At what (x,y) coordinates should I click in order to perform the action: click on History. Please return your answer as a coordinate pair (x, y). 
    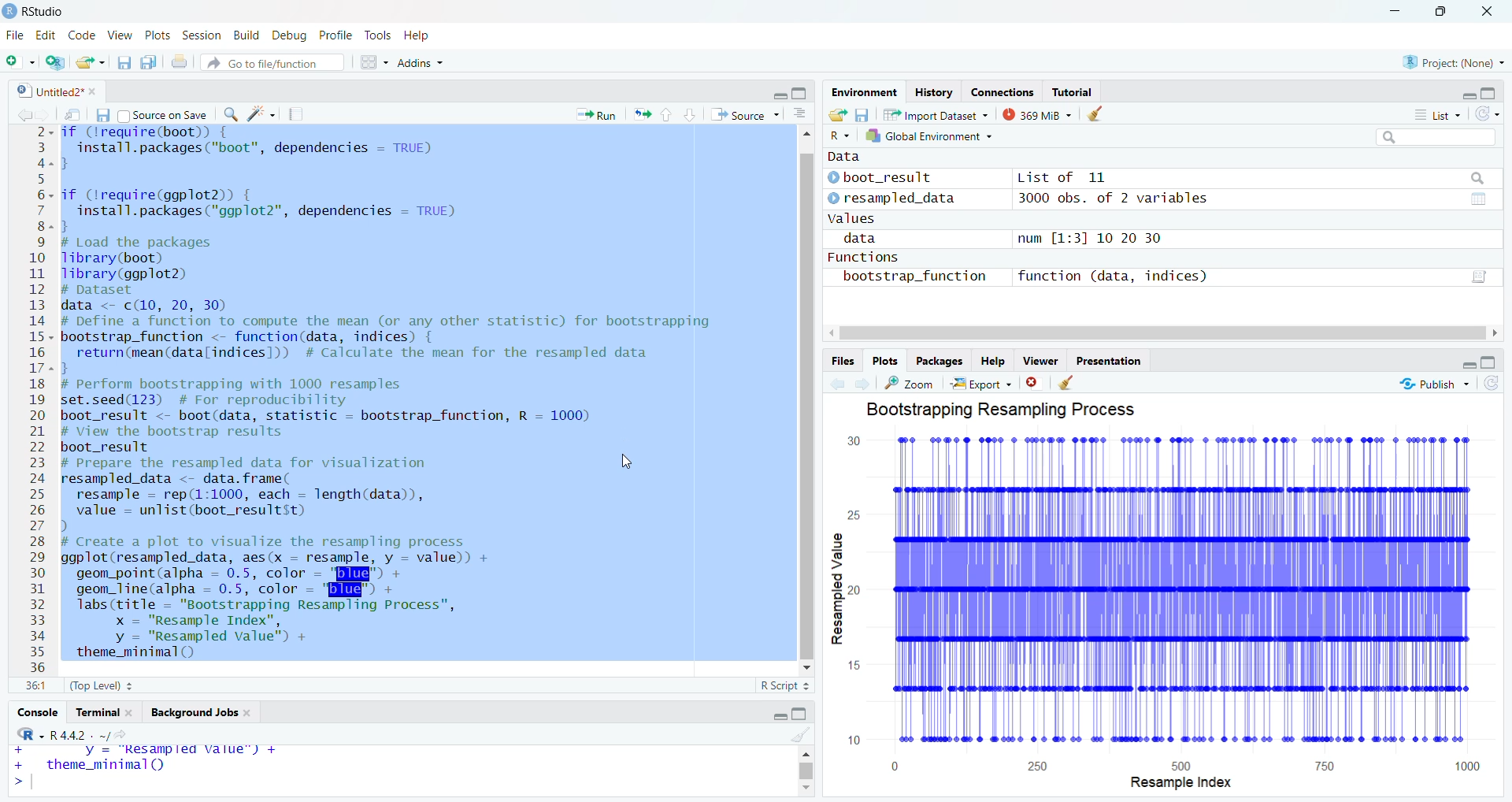
    Looking at the image, I should click on (932, 92).